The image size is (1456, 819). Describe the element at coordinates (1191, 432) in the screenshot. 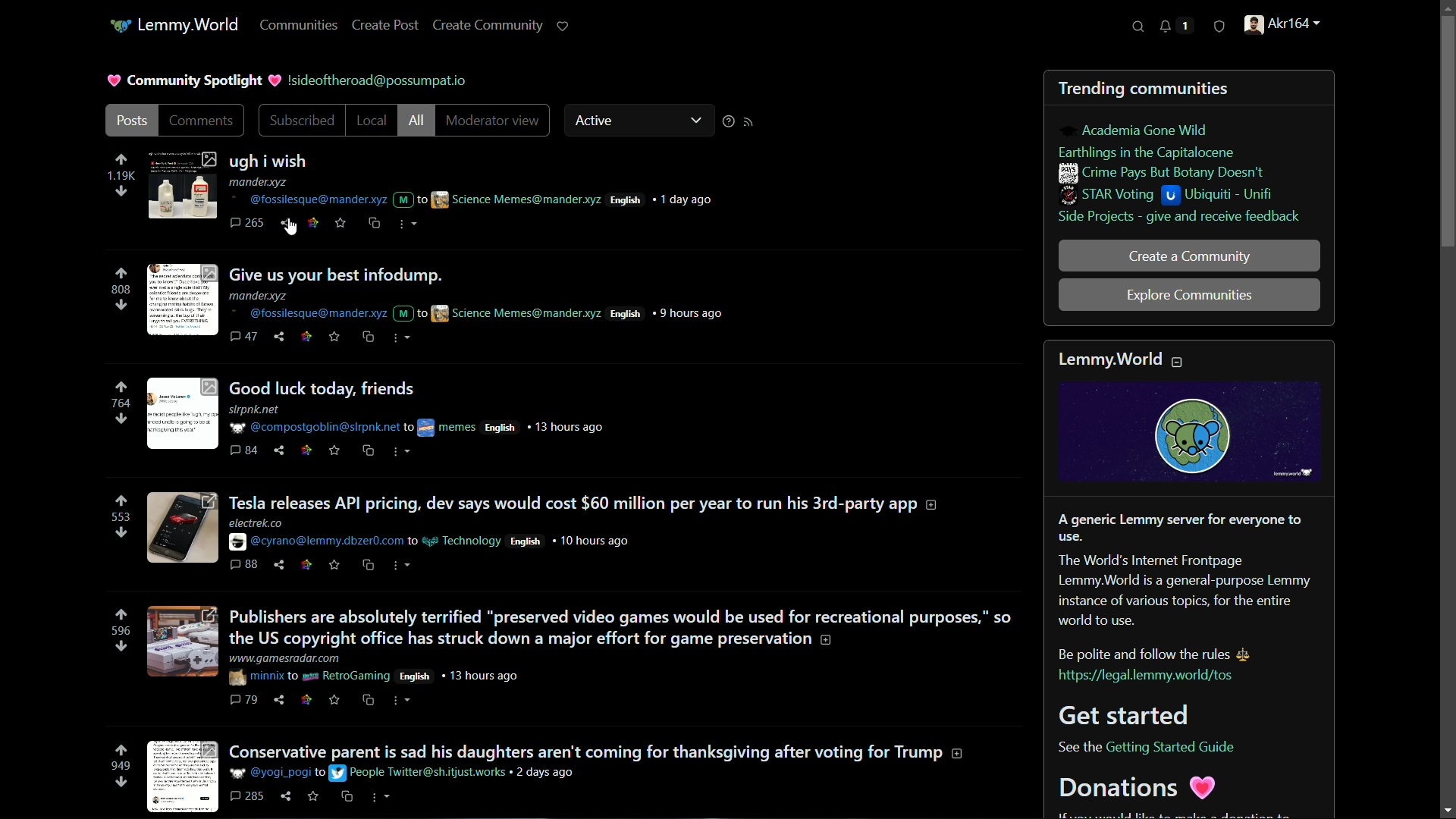

I see `logo` at that location.